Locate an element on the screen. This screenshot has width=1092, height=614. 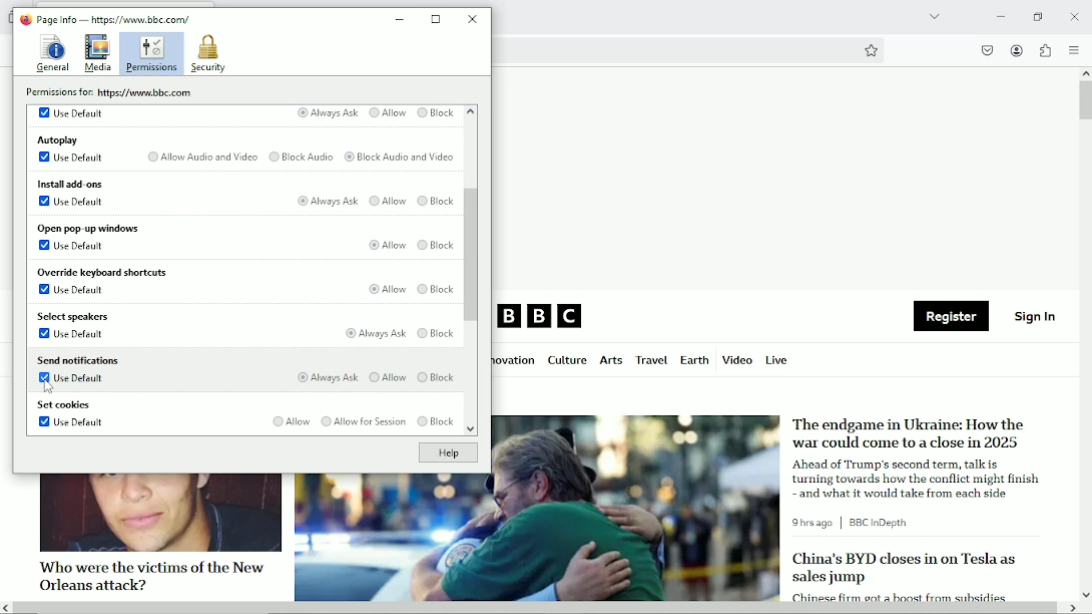
Live is located at coordinates (777, 359).